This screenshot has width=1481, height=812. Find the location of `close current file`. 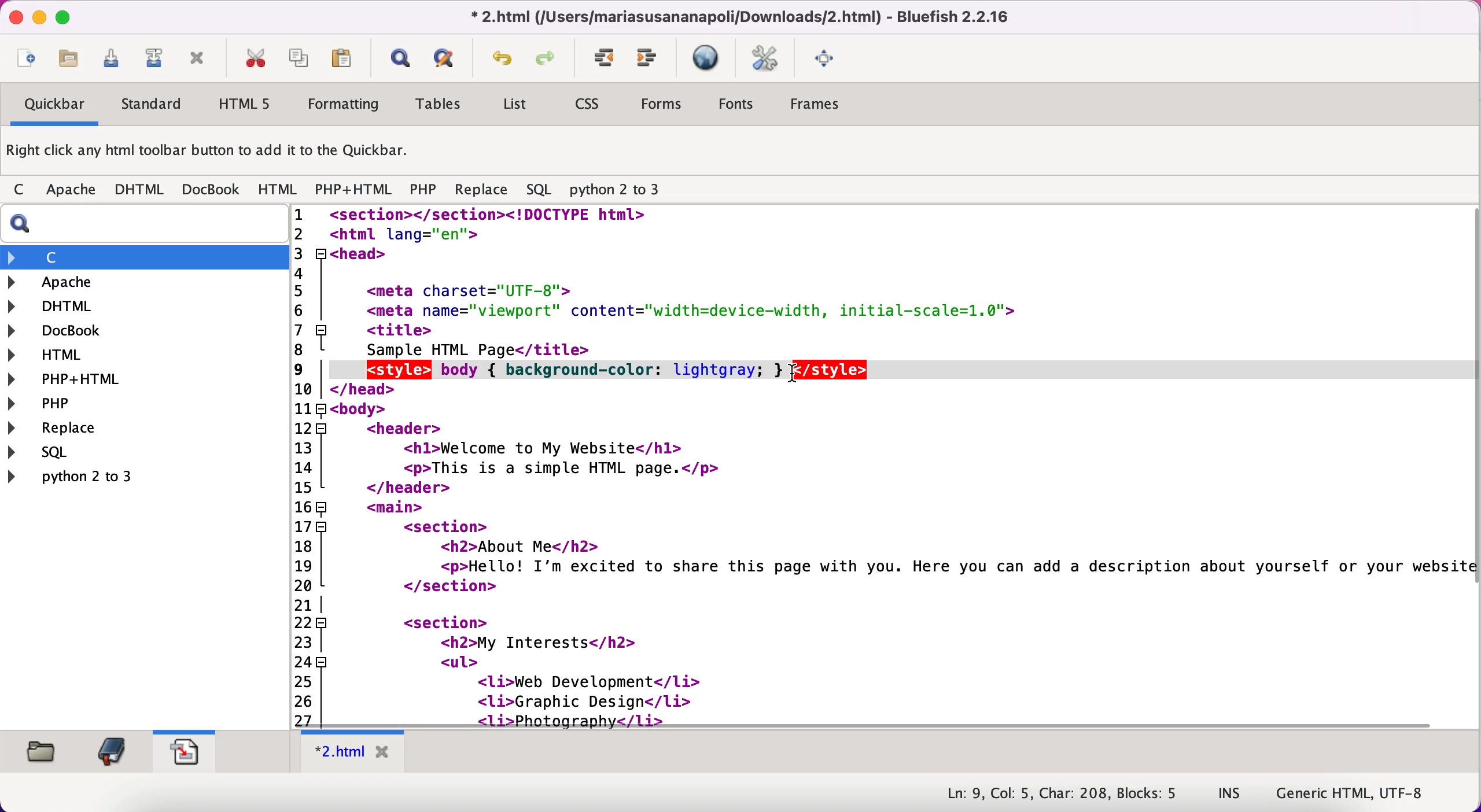

close current file is located at coordinates (197, 60).